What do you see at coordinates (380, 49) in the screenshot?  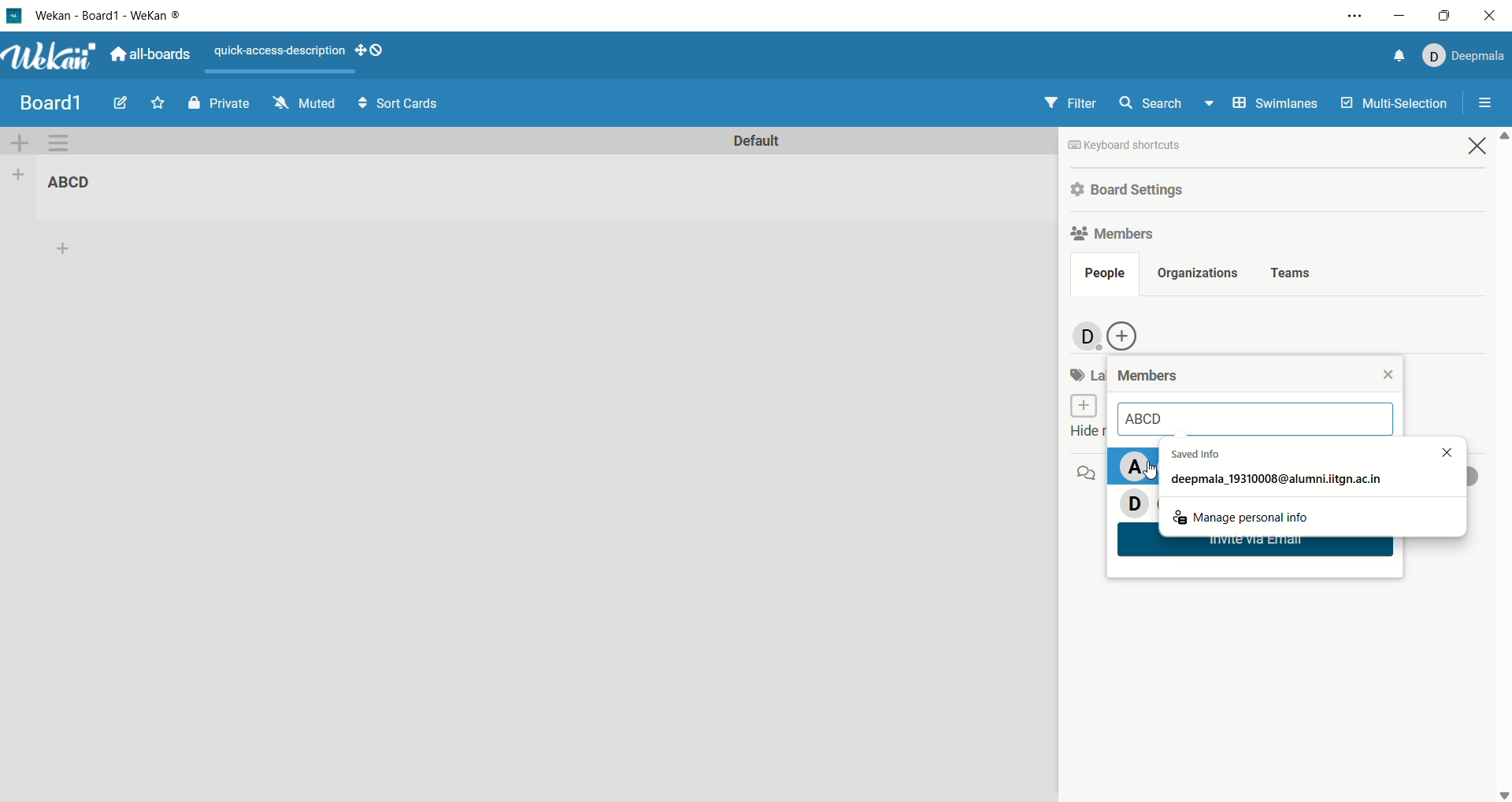 I see `show-desktop-drag-handles` at bounding box center [380, 49].